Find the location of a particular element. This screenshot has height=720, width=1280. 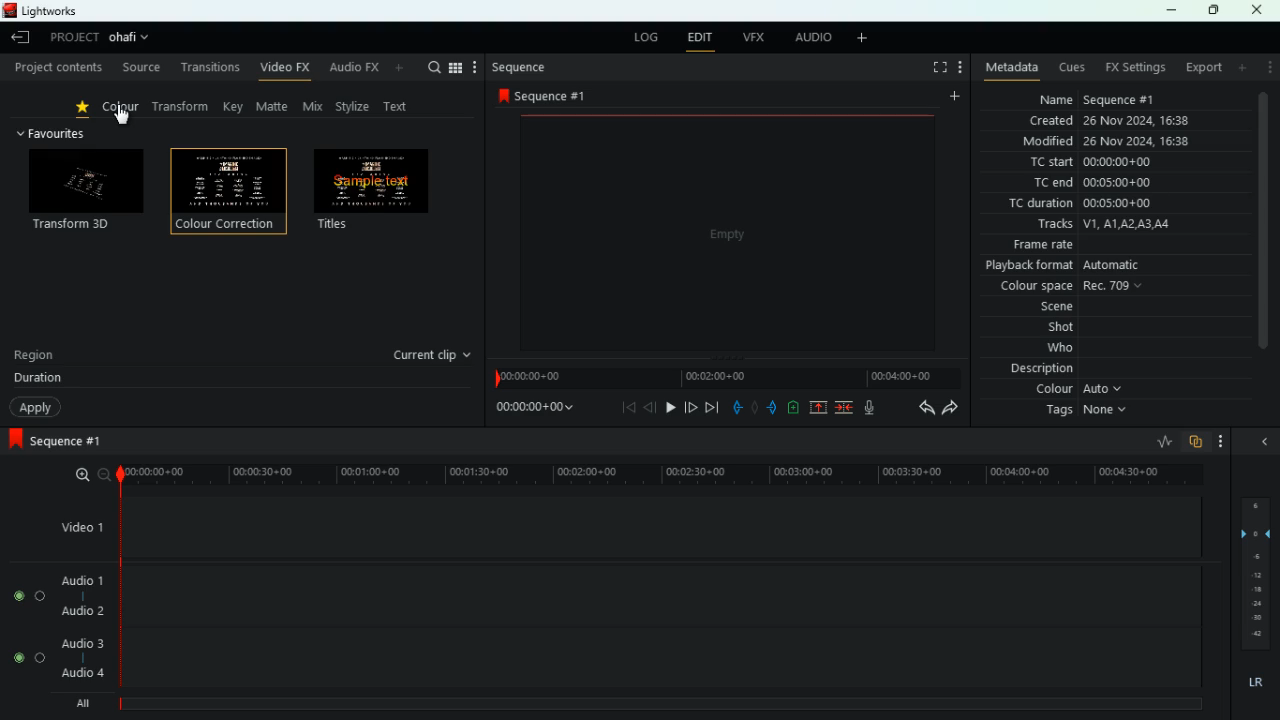

more is located at coordinates (863, 38).